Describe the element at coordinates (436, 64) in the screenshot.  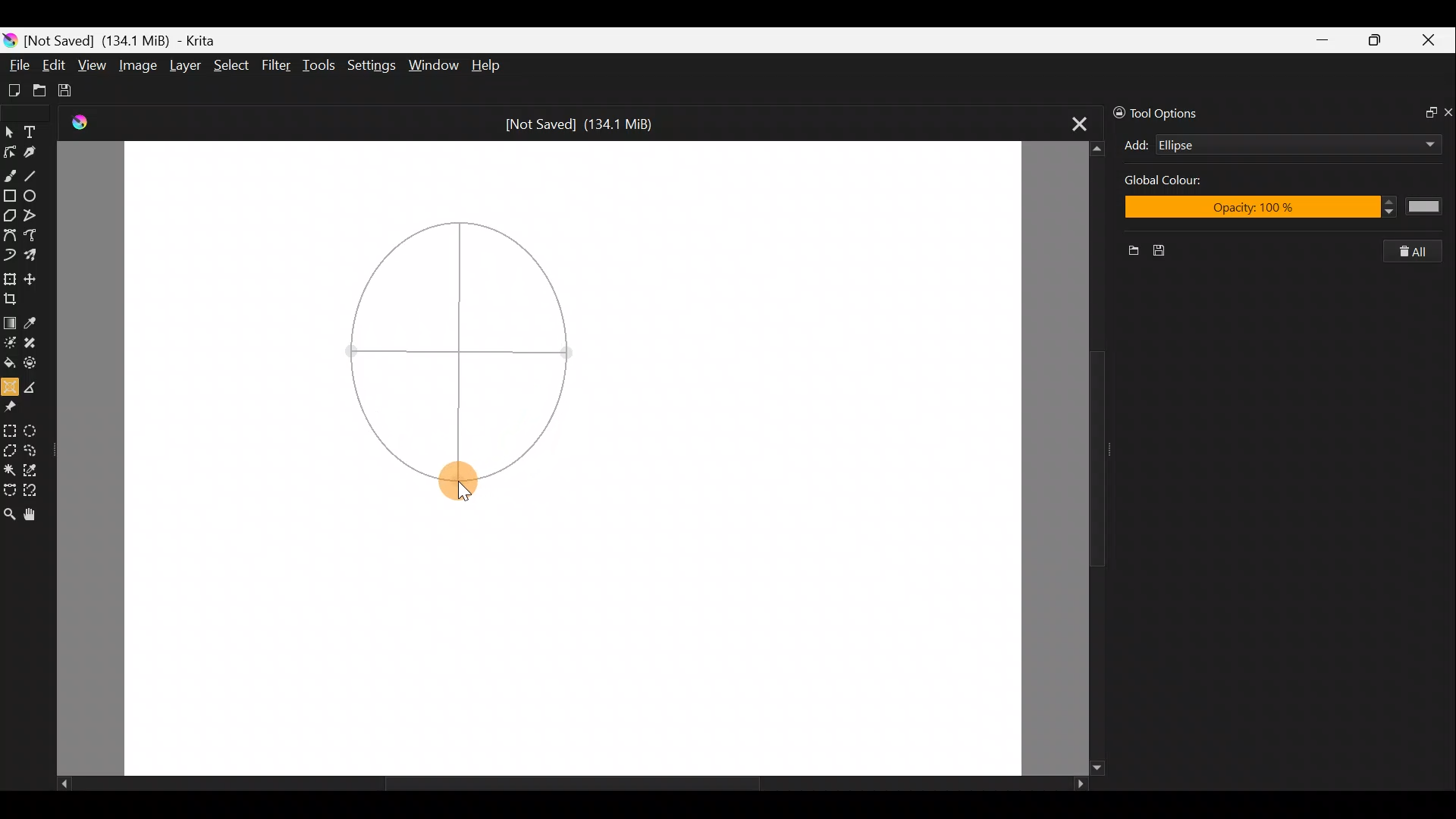
I see `Window` at that location.